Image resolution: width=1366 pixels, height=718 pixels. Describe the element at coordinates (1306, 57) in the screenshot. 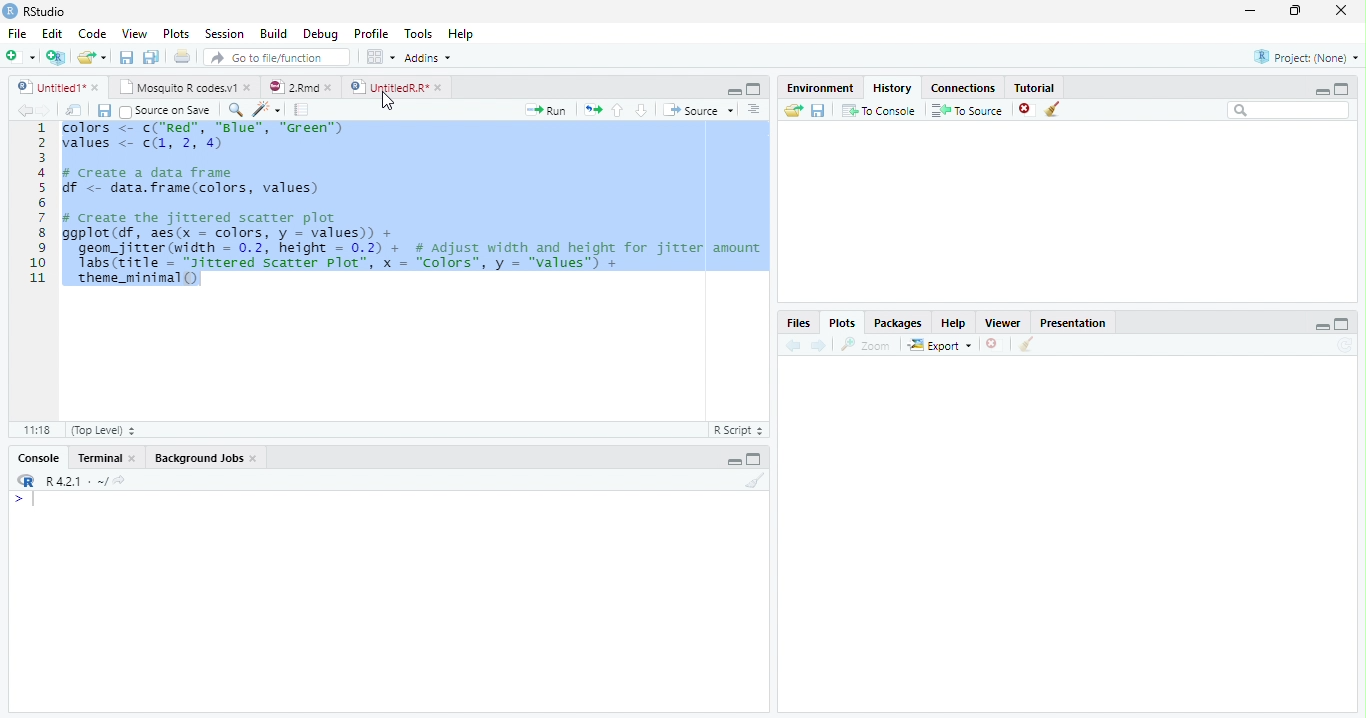

I see `Project: (None)` at that location.